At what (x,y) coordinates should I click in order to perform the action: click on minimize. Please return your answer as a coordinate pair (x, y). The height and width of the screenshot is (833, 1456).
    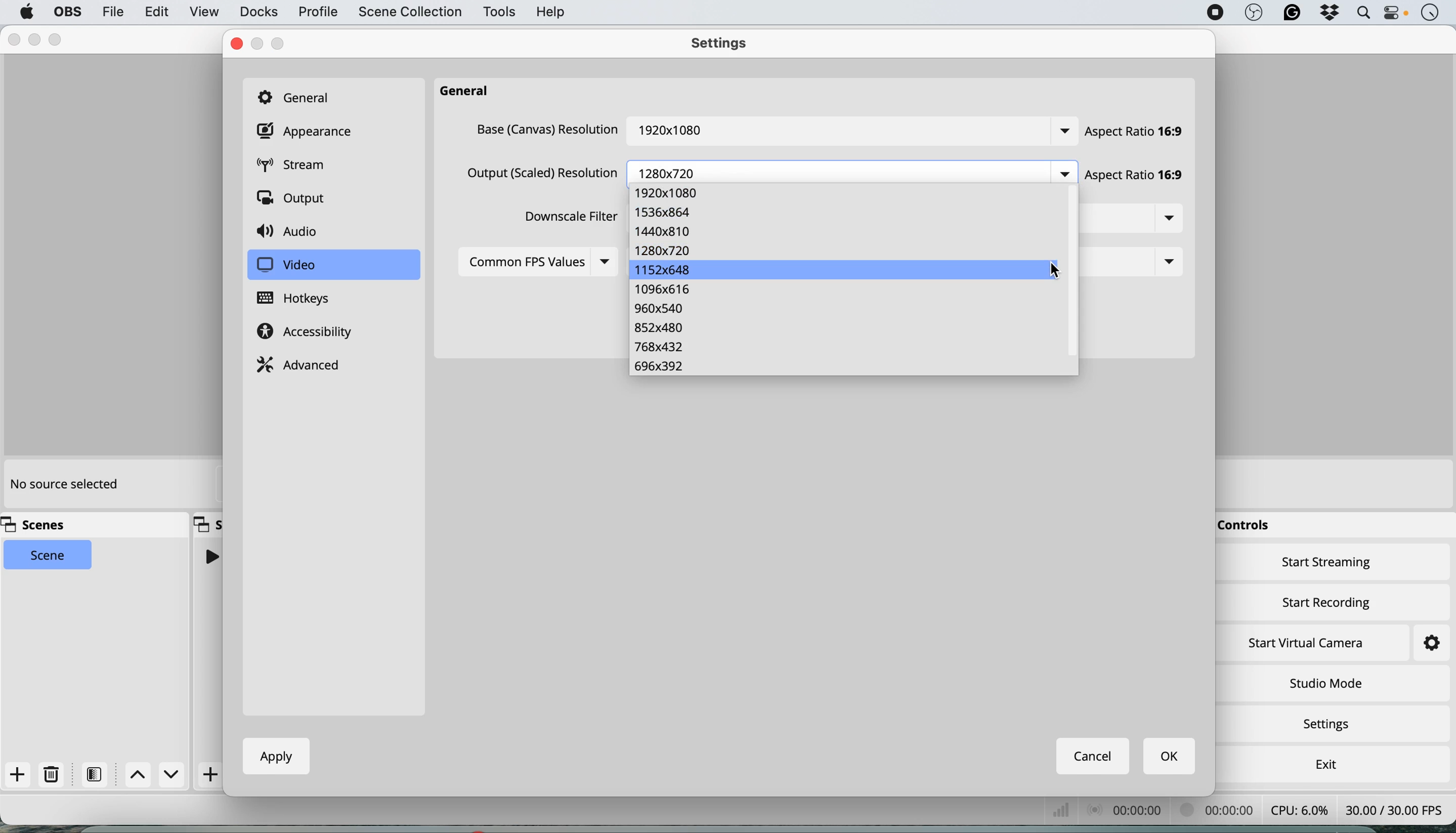
    Looking at the image, I should click on (258, 44).